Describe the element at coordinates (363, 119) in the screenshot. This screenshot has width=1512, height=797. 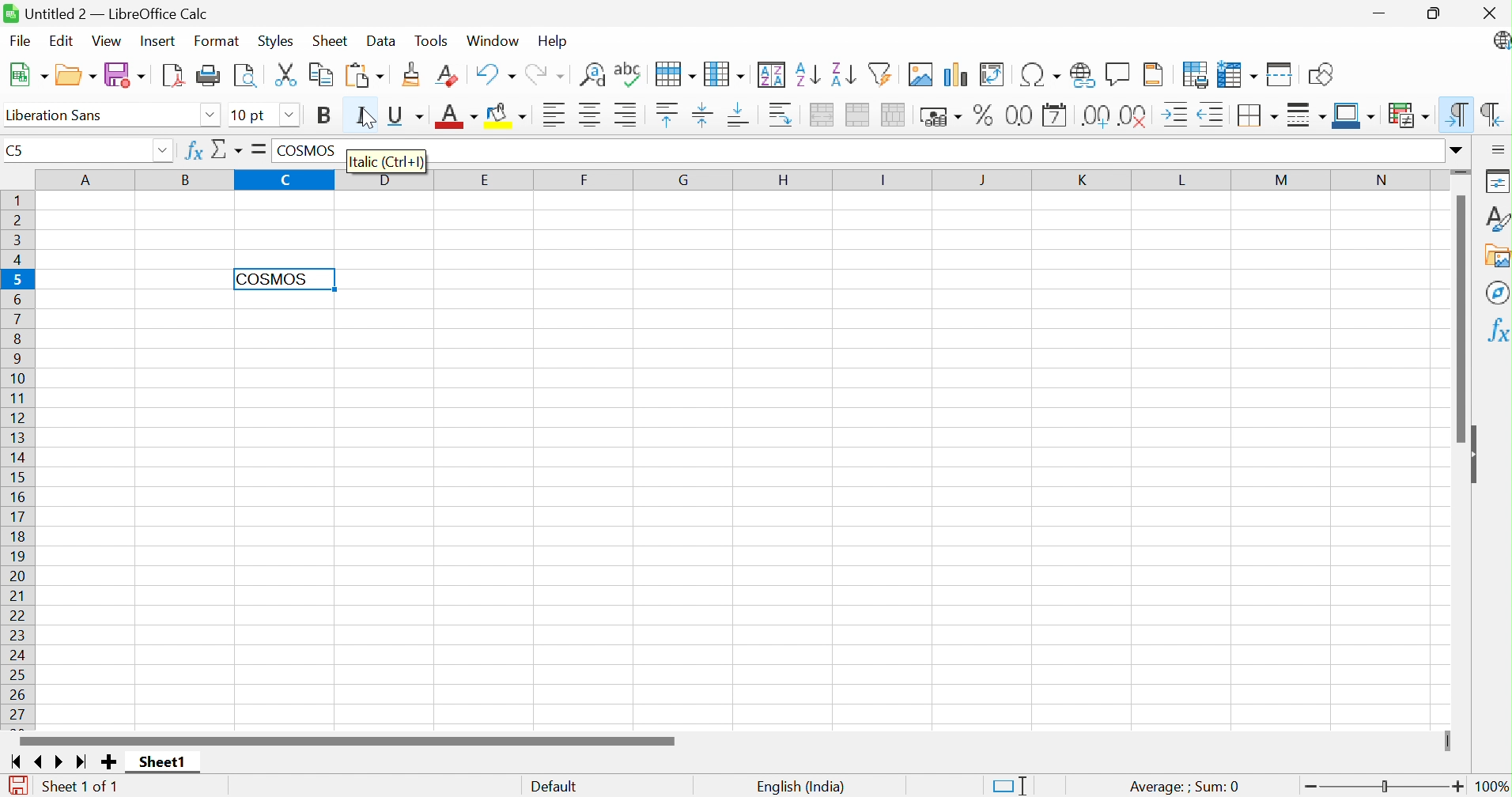
I see `Italic` at that location.